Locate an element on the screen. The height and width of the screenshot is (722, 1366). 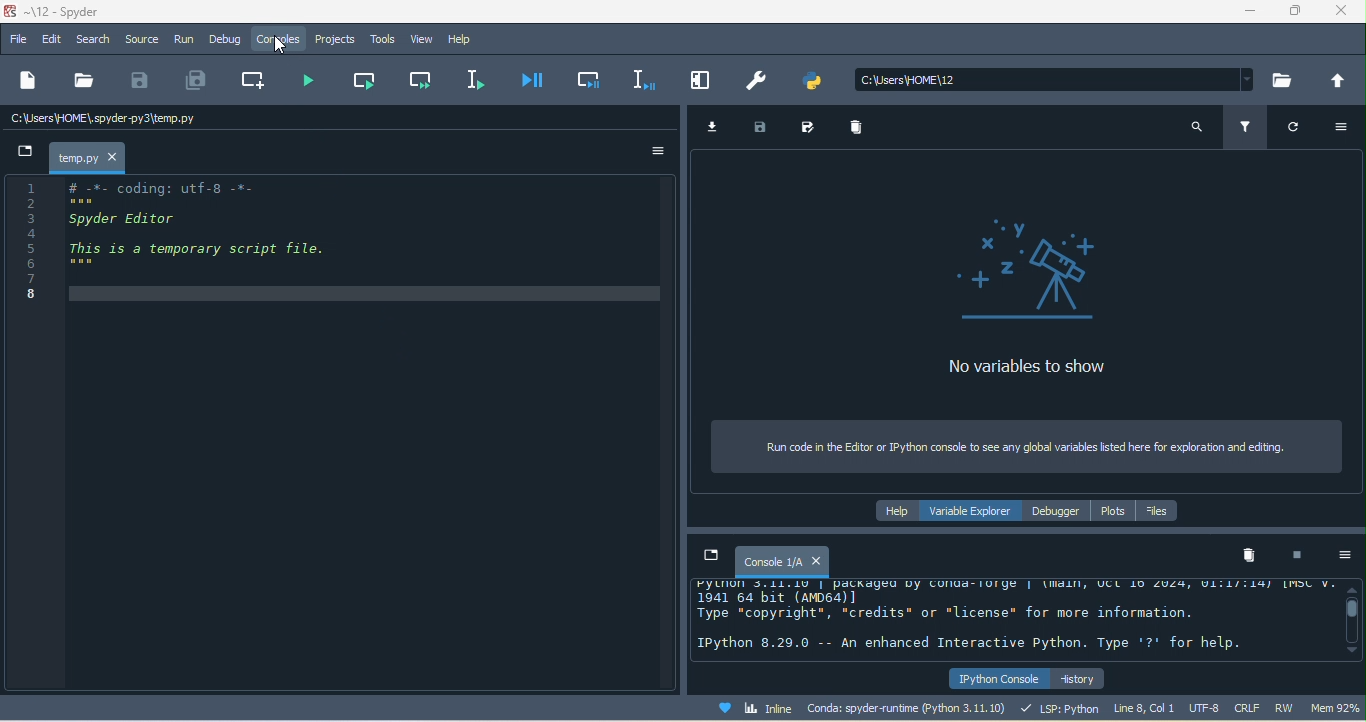
filter is located at coordinates (1244, 126).